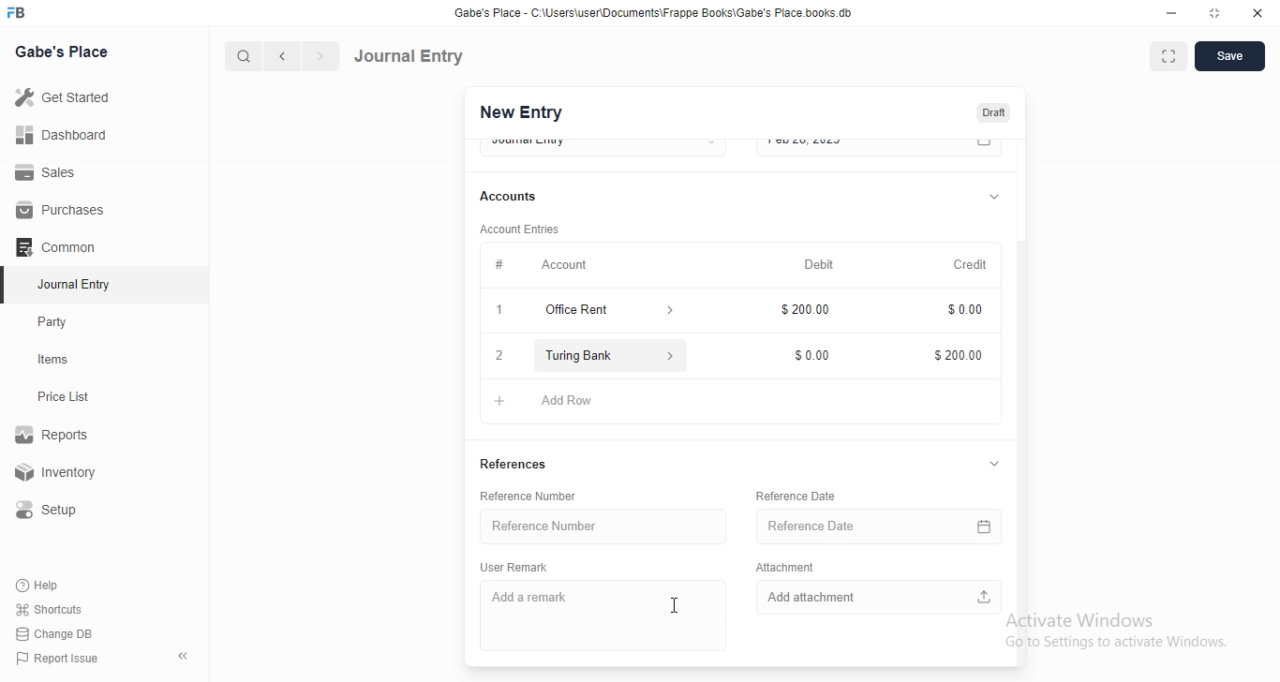 The width and height of the screenshot is (1280, 682). I want to click on Account Entries., so click(518, 229).